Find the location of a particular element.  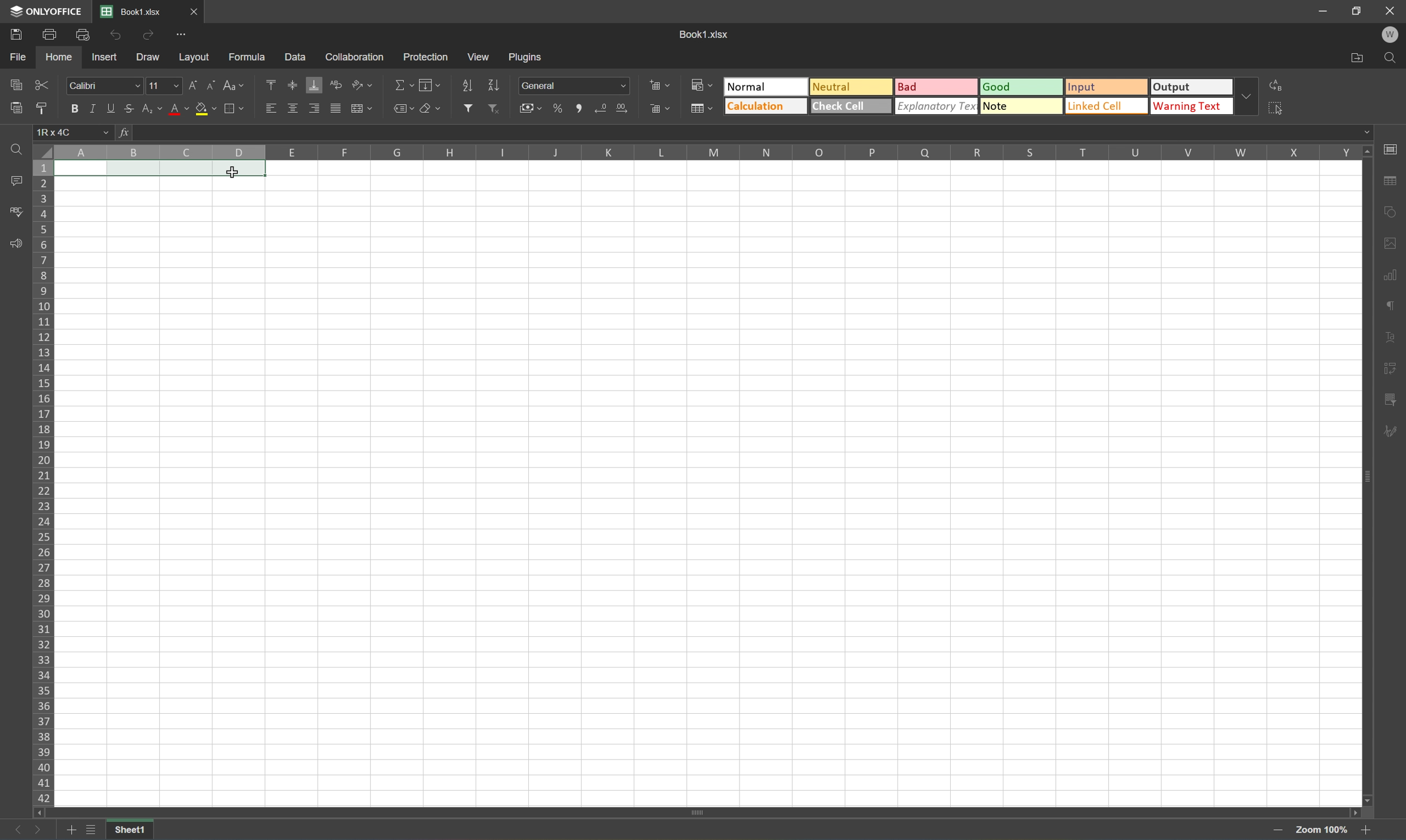

Clear is located at coordinates (433, 107).